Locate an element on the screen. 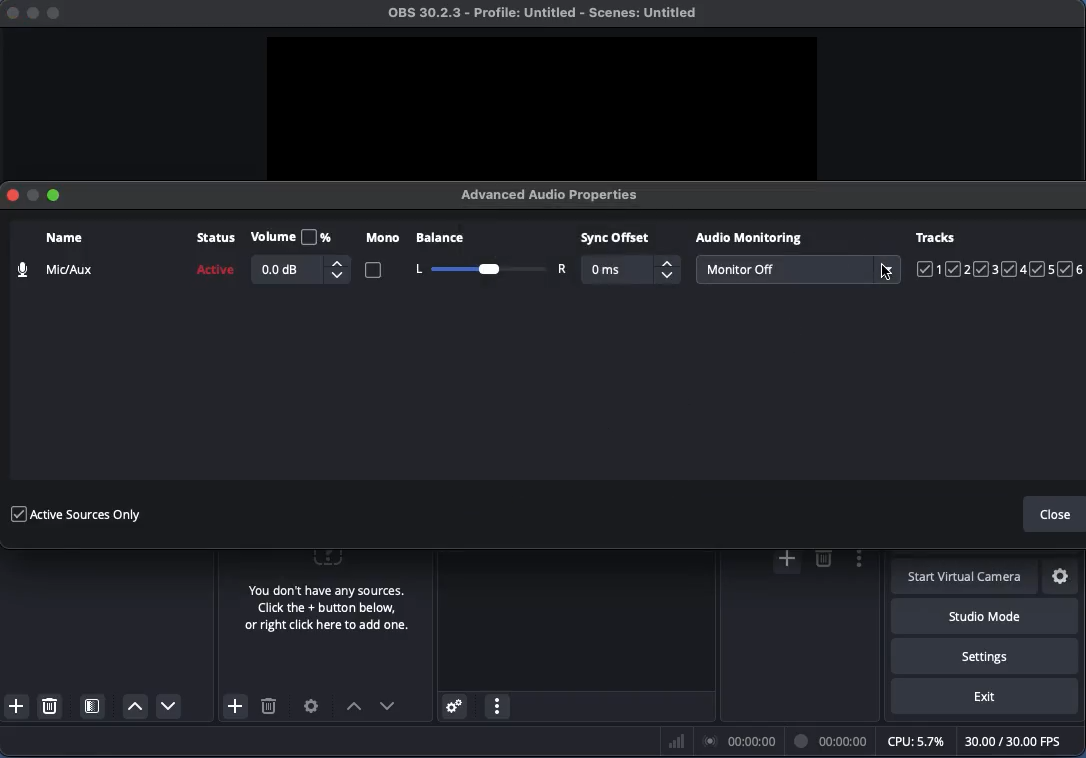 Image resolution: width=1086 pixels, height=758 pixels. Delete is located at coordinates (52, 705).